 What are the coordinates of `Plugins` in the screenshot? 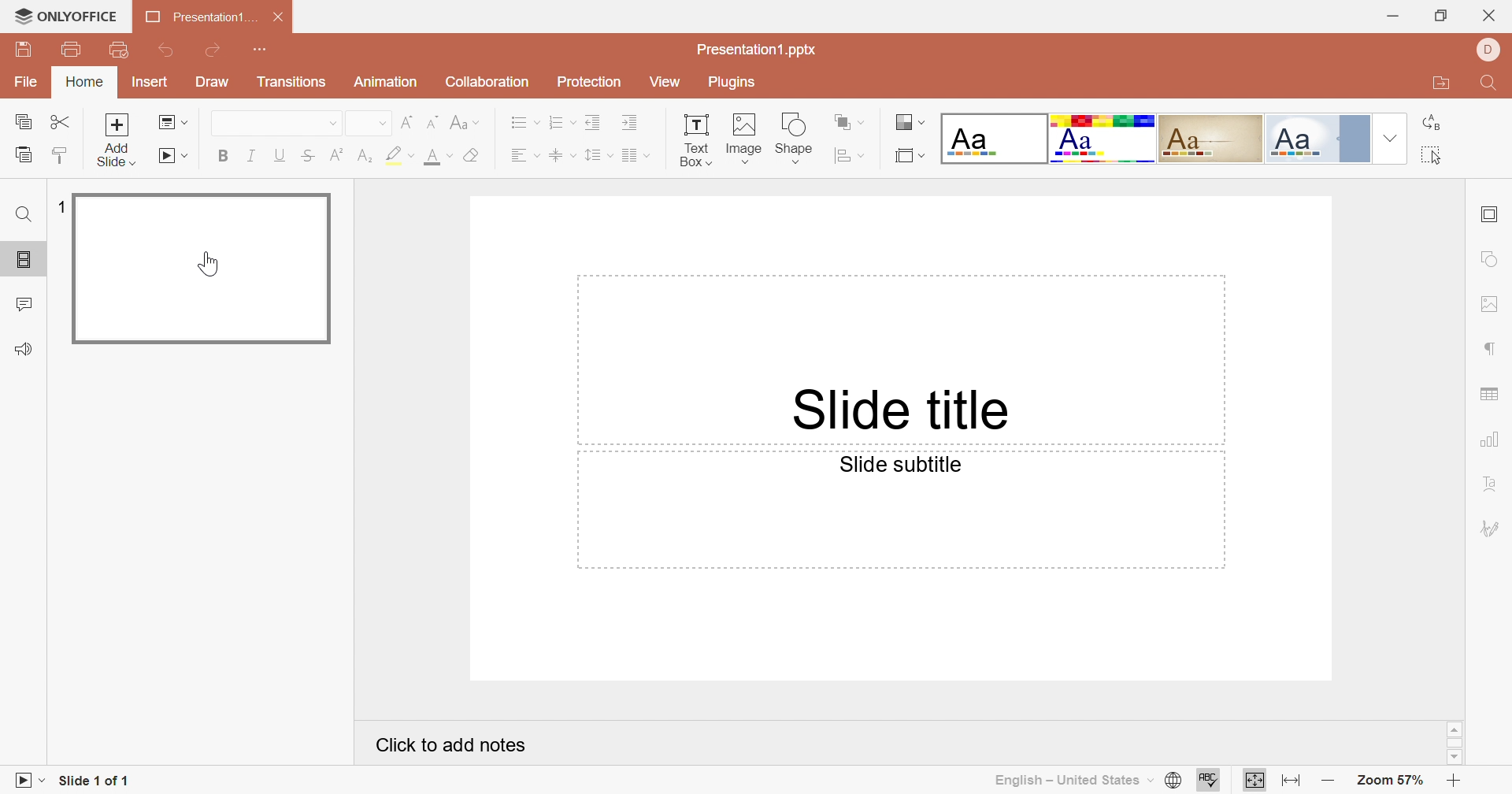 It's located at (739, 83).